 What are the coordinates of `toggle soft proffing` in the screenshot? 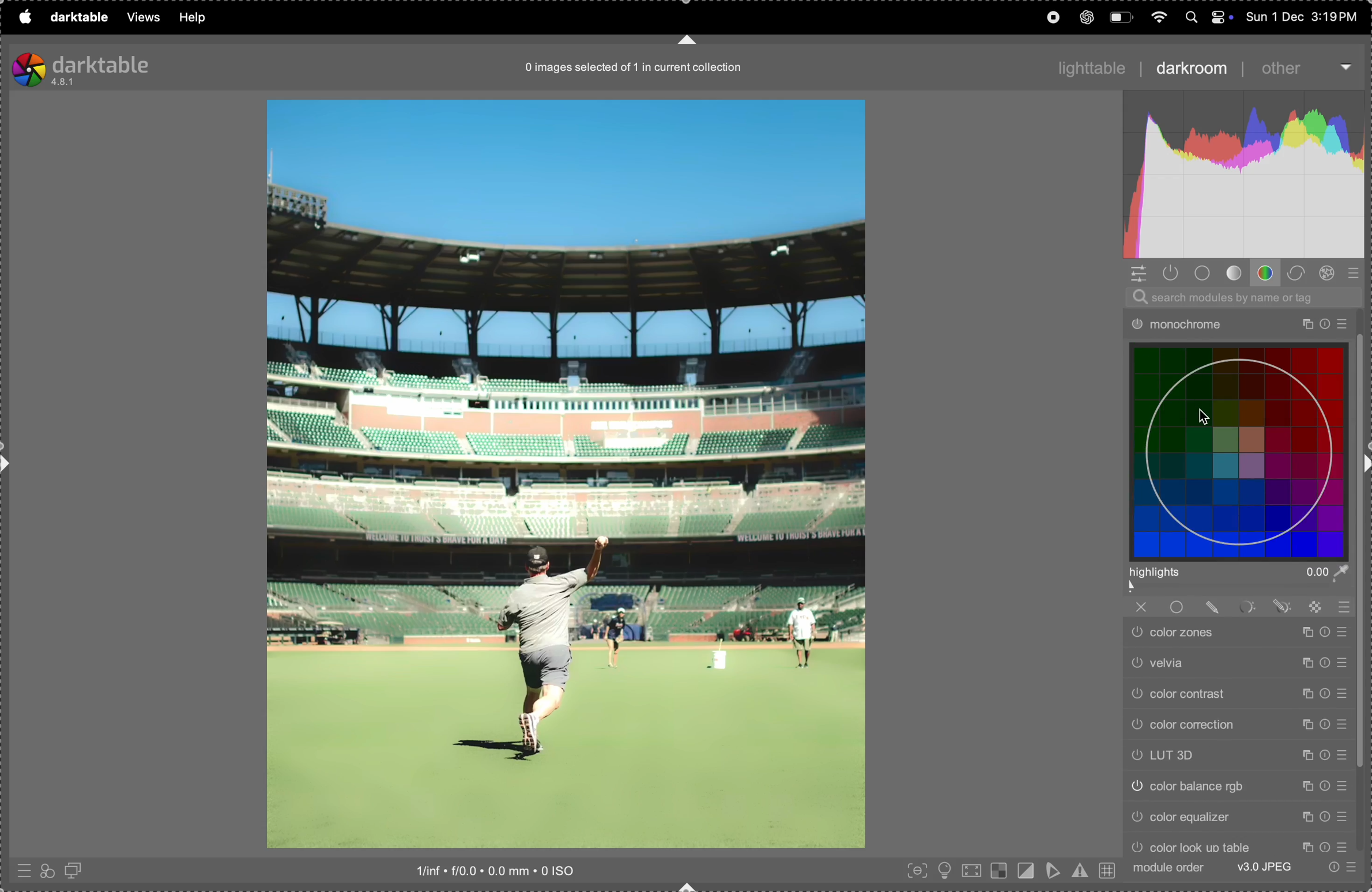 It's located at (1051, 871).